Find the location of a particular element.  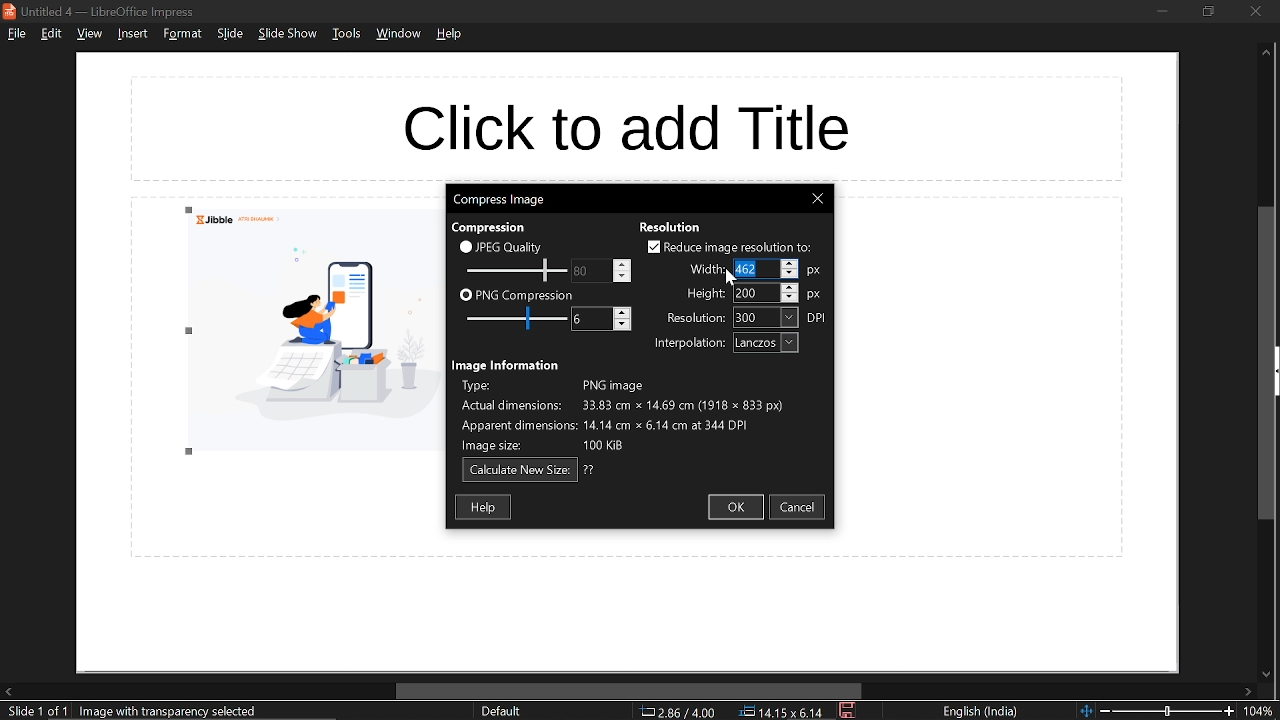

cancel is located at coordinates (800, 507).